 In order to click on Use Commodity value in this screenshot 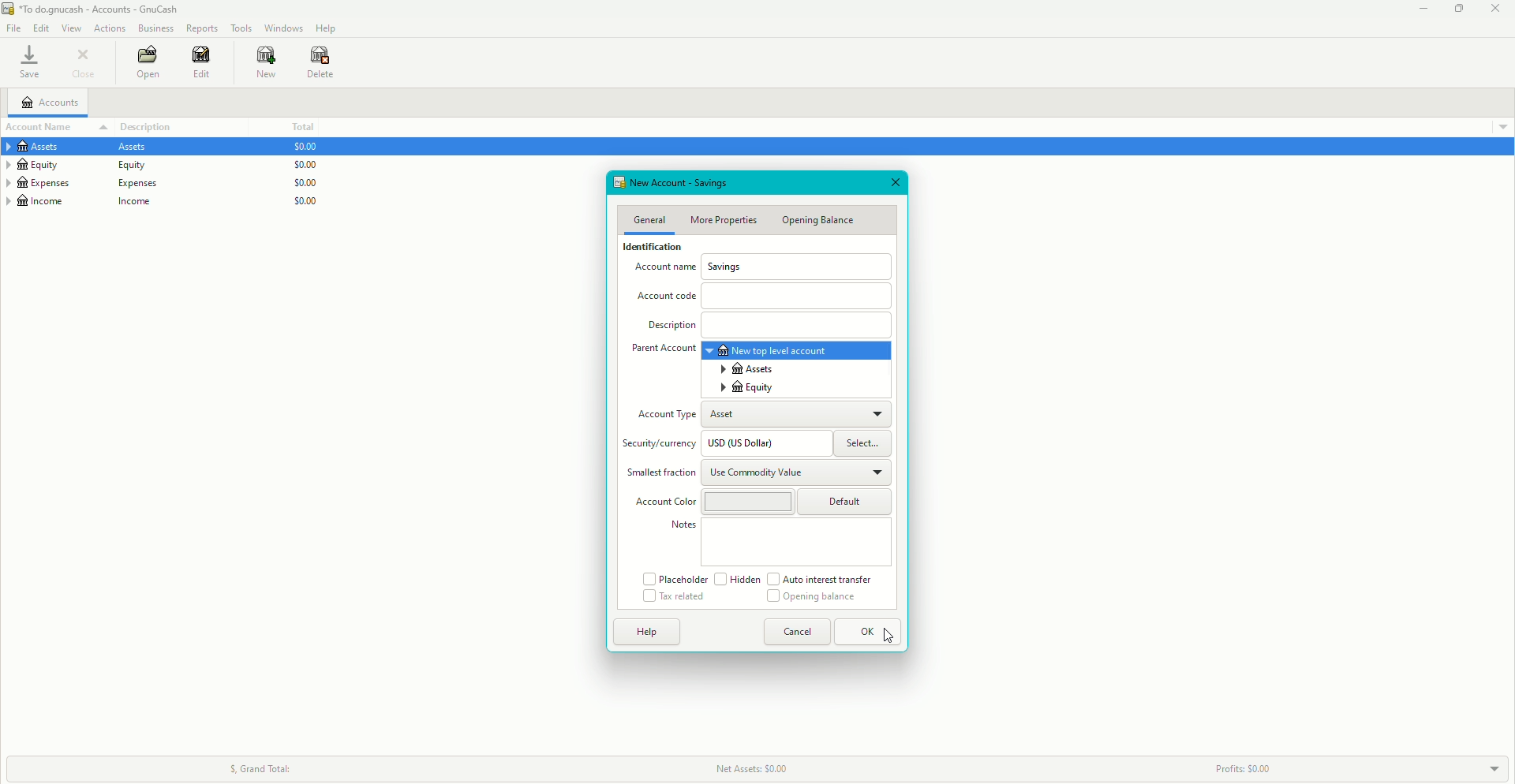, I will do `click(757, 474)`.